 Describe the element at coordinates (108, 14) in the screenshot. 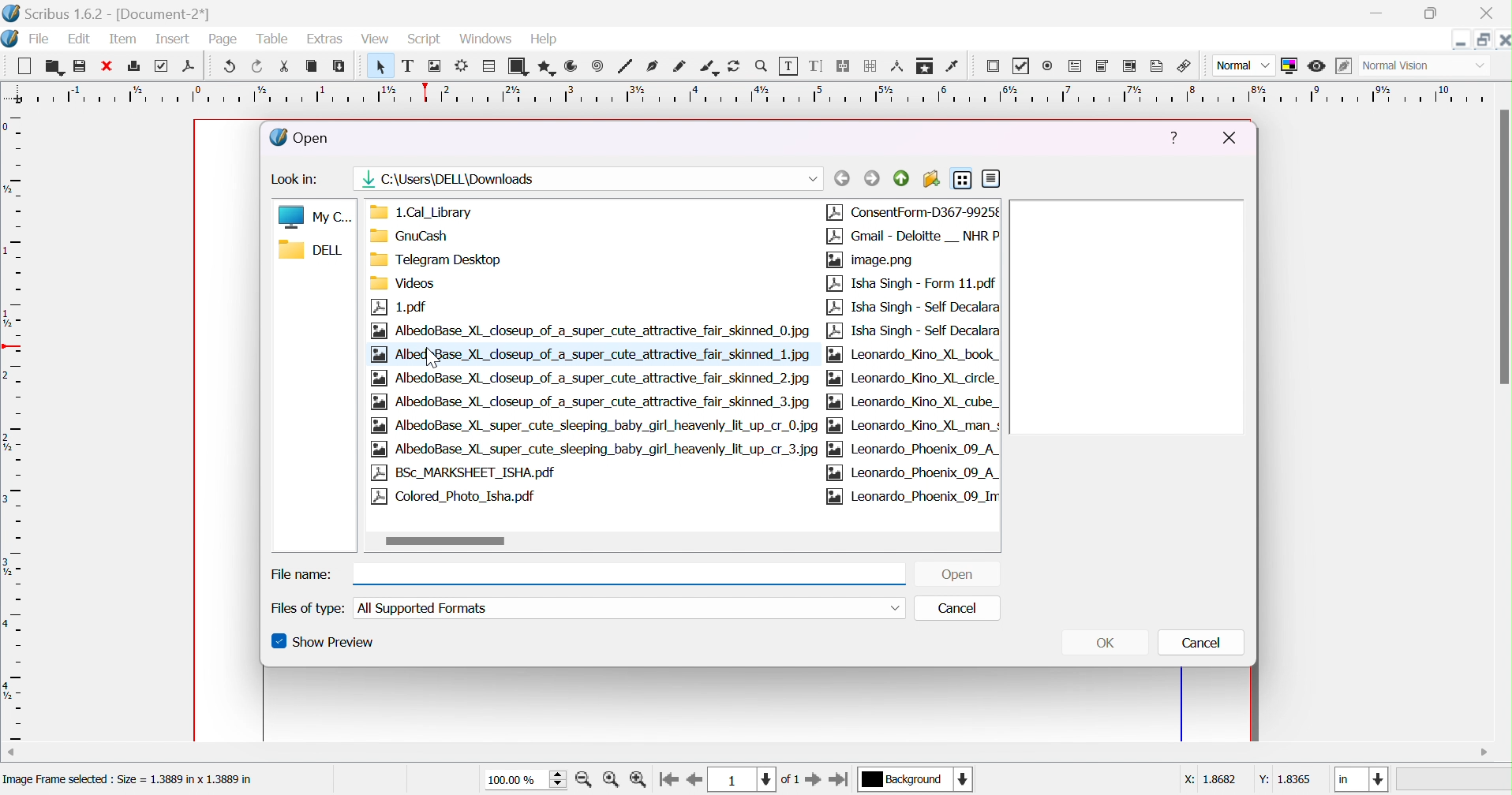

I see `scribus 1.6.2 - [Document-2*]` at that location.